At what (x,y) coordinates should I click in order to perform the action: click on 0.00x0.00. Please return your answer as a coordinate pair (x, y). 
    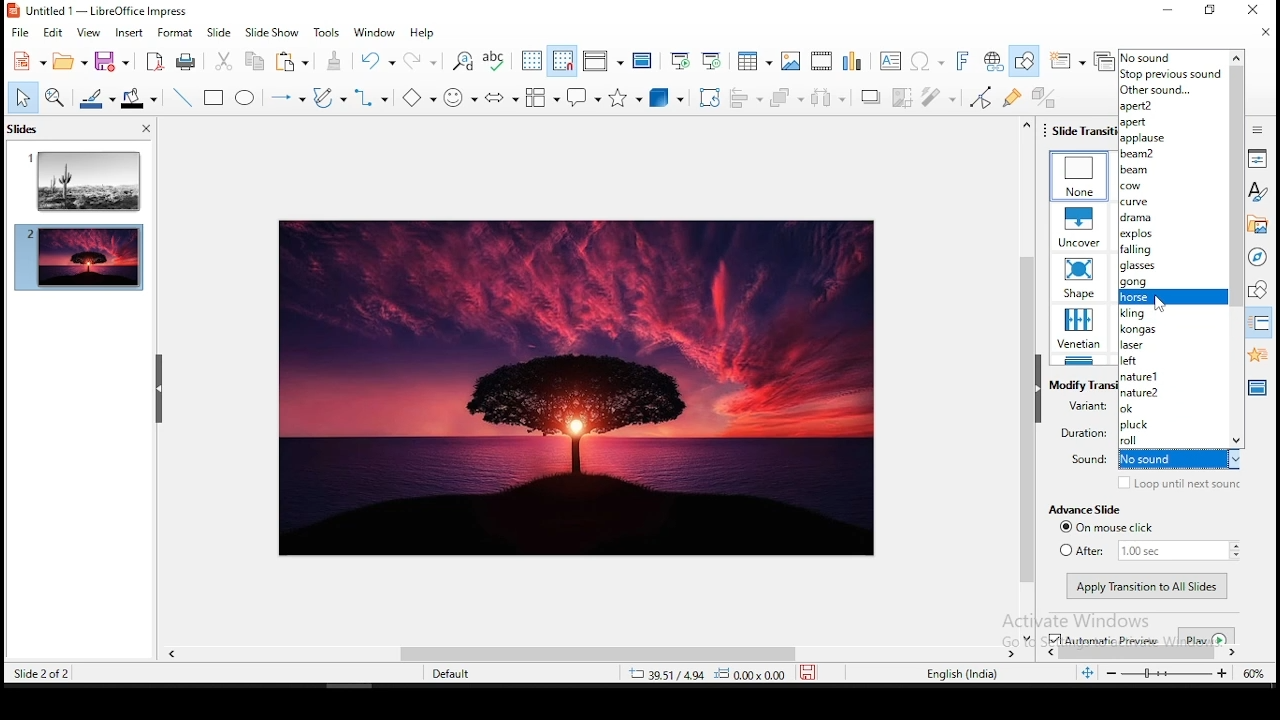
    Looking at the image, I should click on (750, 675).